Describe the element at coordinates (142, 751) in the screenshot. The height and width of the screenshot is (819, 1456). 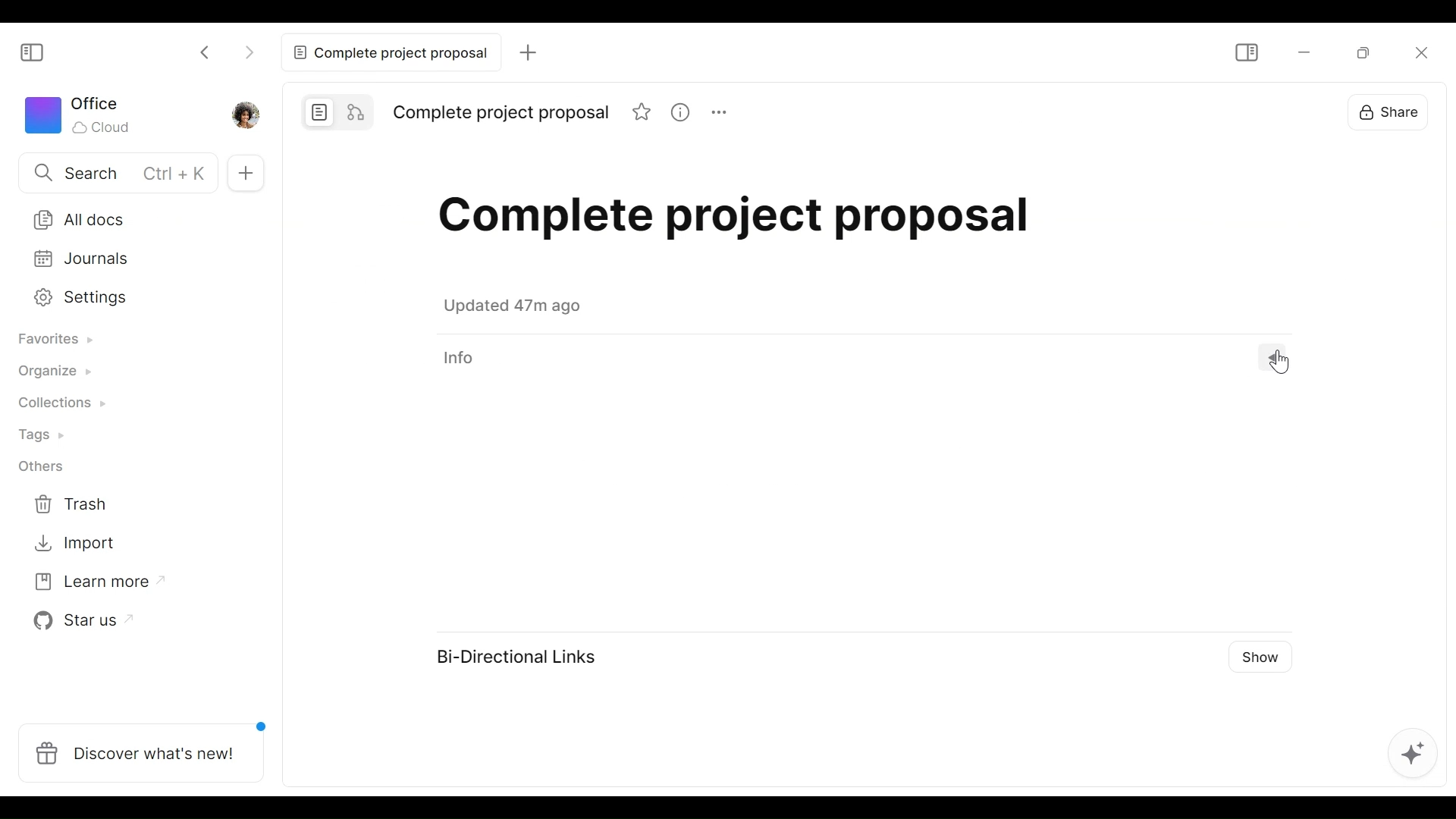
I see `Discover what's new` at that location.